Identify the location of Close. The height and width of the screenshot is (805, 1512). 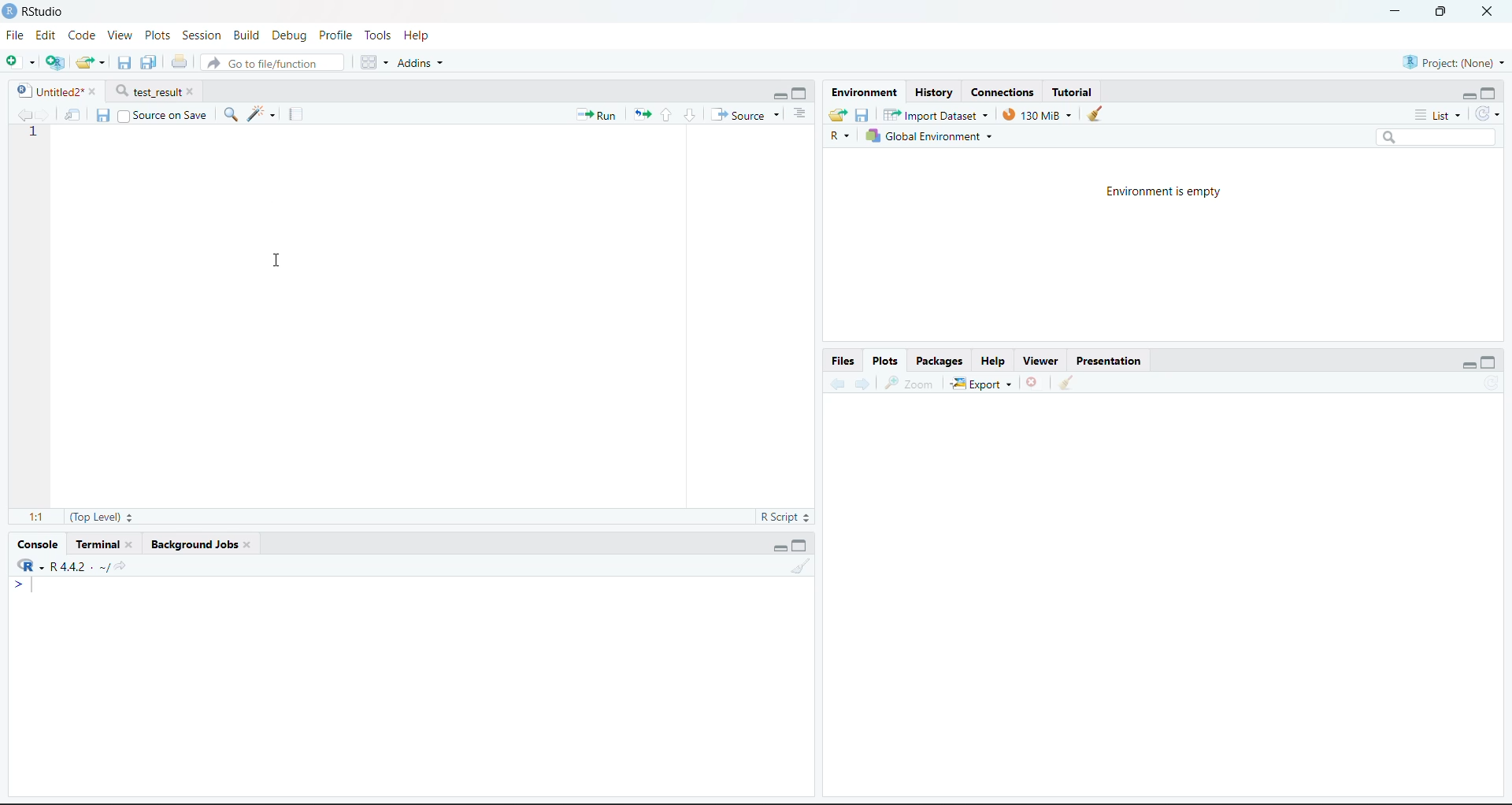
(1483, 13).